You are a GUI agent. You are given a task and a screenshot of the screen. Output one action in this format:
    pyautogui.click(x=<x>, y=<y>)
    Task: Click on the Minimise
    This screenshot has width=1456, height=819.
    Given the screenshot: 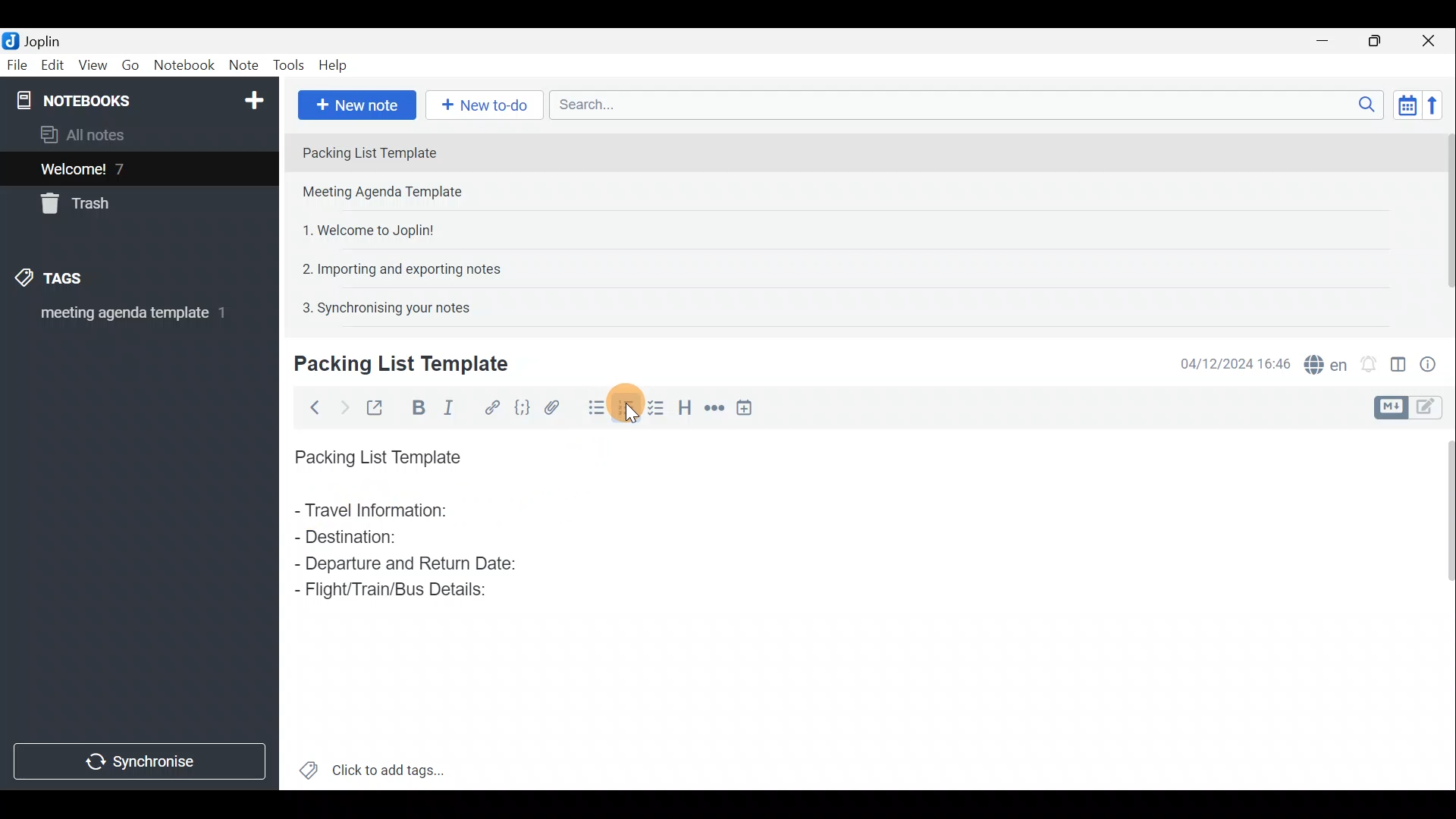 What is the action you would take?
    pyautogui.click(x=1330, y=43)
    